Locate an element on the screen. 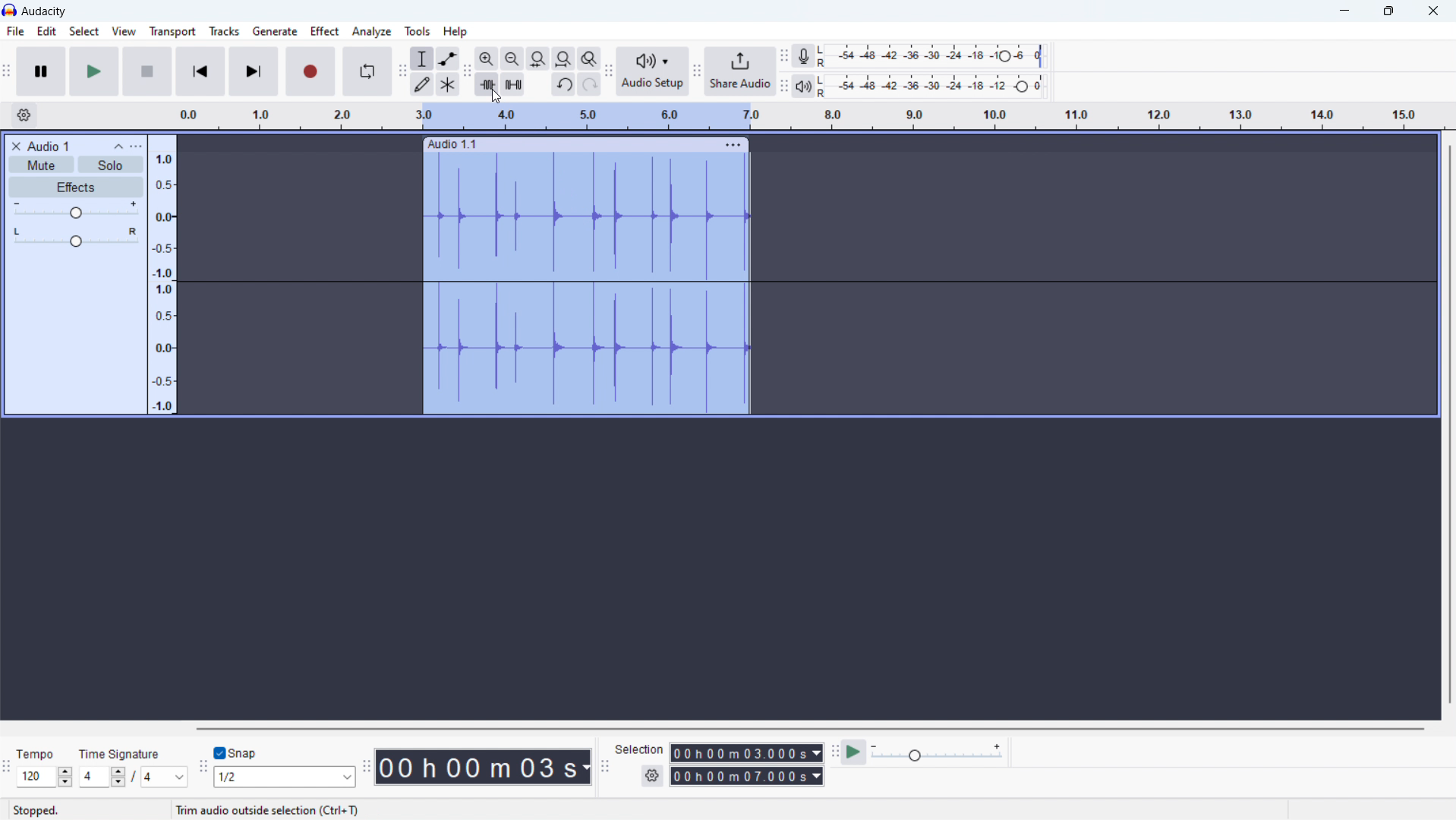 Image resolution: width=1456 pixels, height=820 pixels. skip to start is located at coordinates (200, 71).